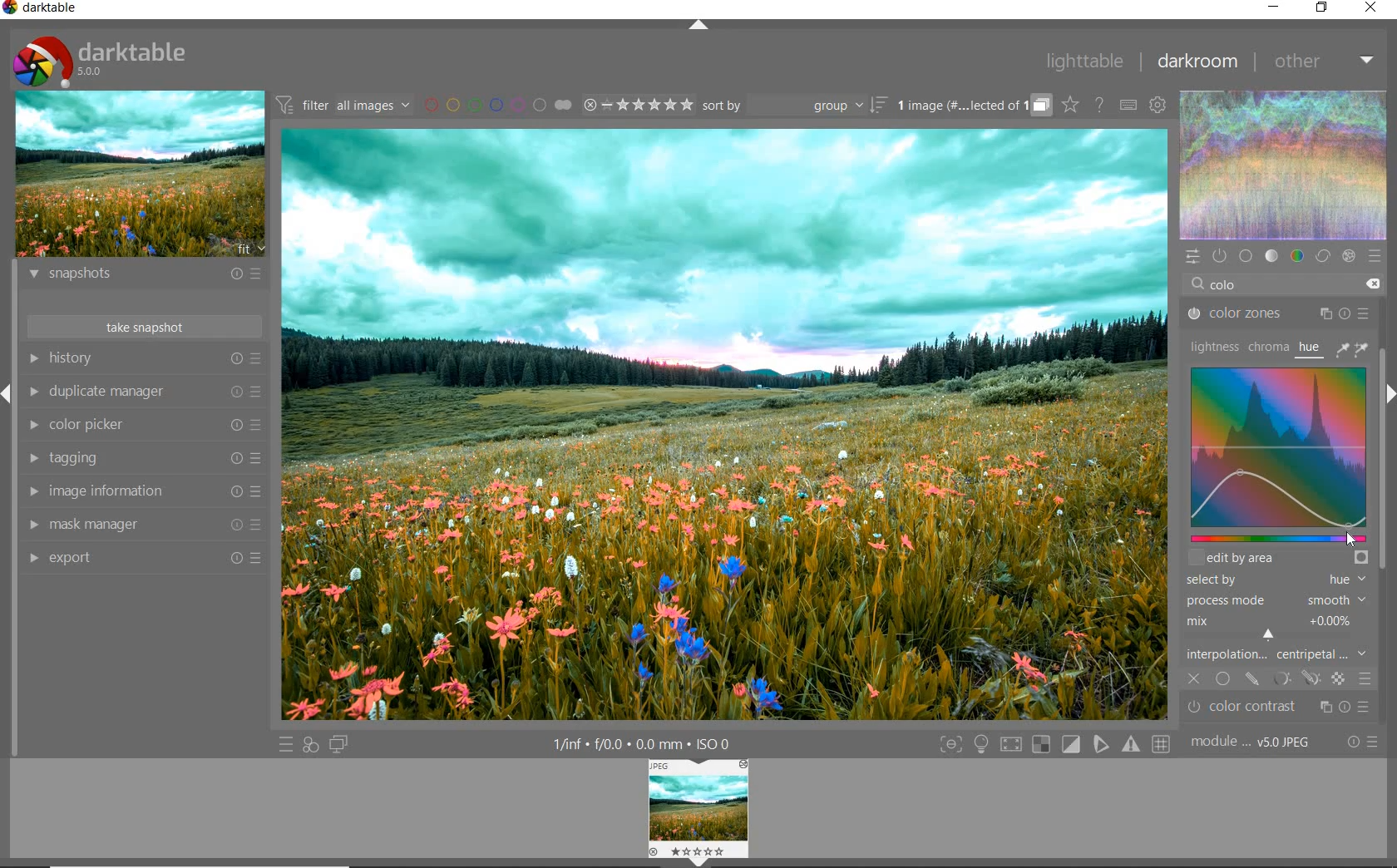  I want to click on Image preview, so click(699, 811).